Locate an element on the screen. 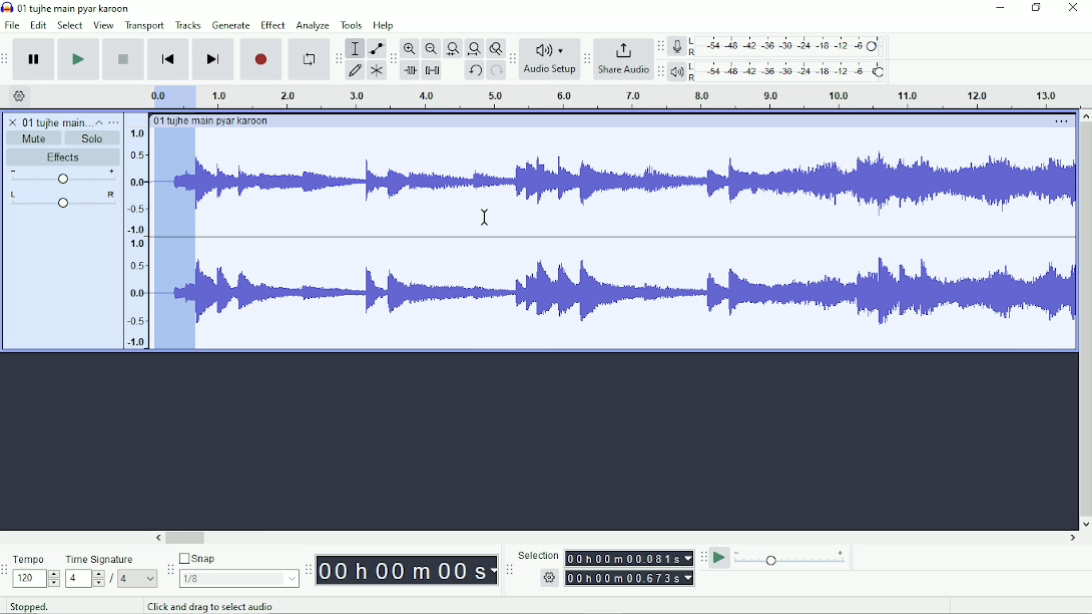 This screenshot has width=1092, height=614. Help is located at coordinates (385, 26).